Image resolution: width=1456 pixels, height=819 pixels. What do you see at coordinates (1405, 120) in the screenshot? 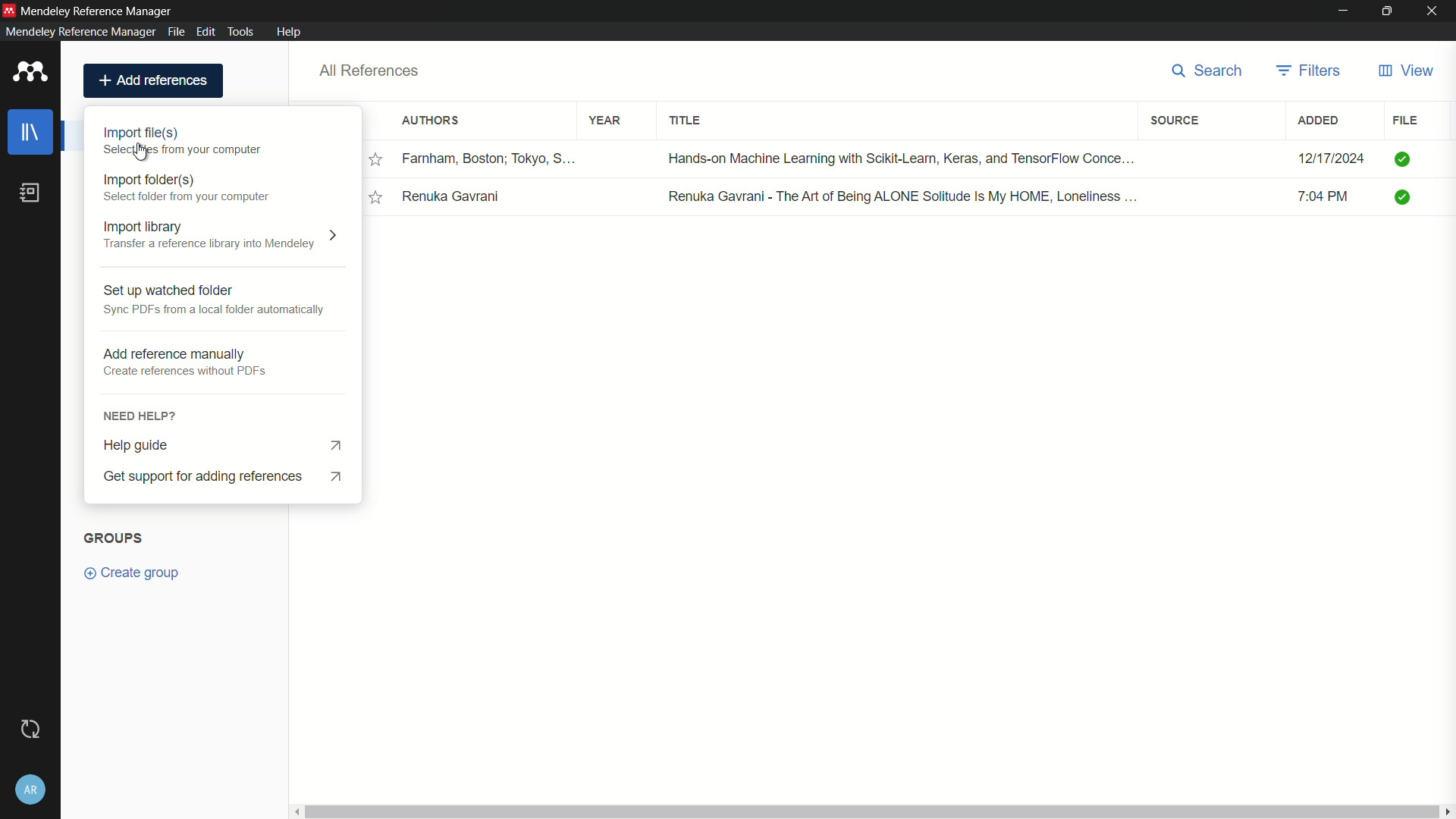
I see `file` at bounding box center [1405, 120].